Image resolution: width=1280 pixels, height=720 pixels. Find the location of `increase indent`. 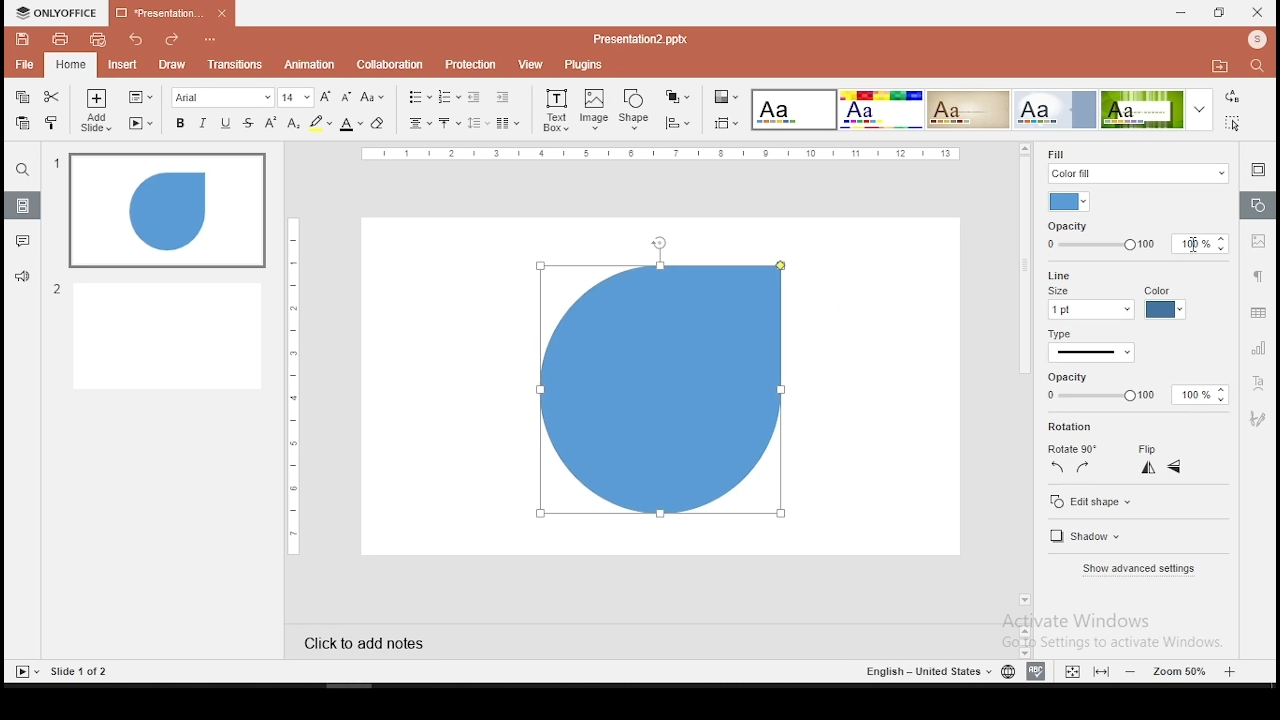

increase indent is located at coordinates (502, 97).